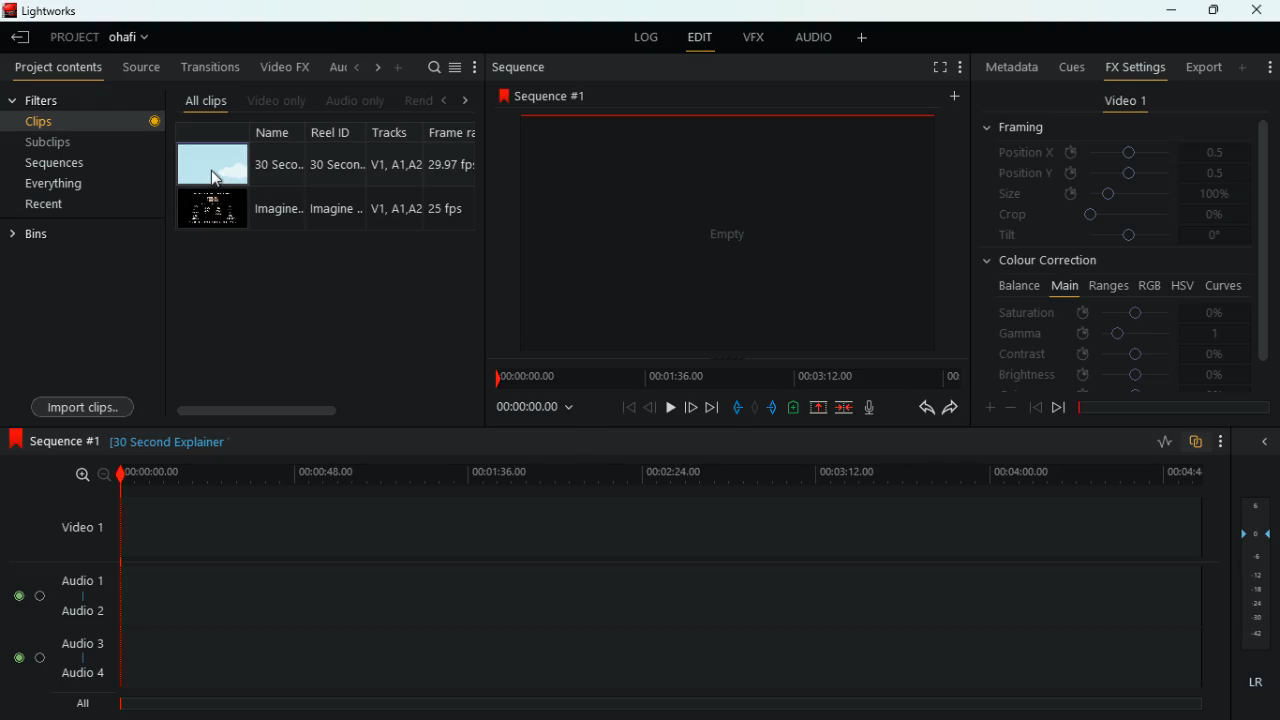 The height and width of the screenshot is (720, 1280). Describe the element at coordinates (1034, 406) in the screenshot. I see `beggining` at that location.